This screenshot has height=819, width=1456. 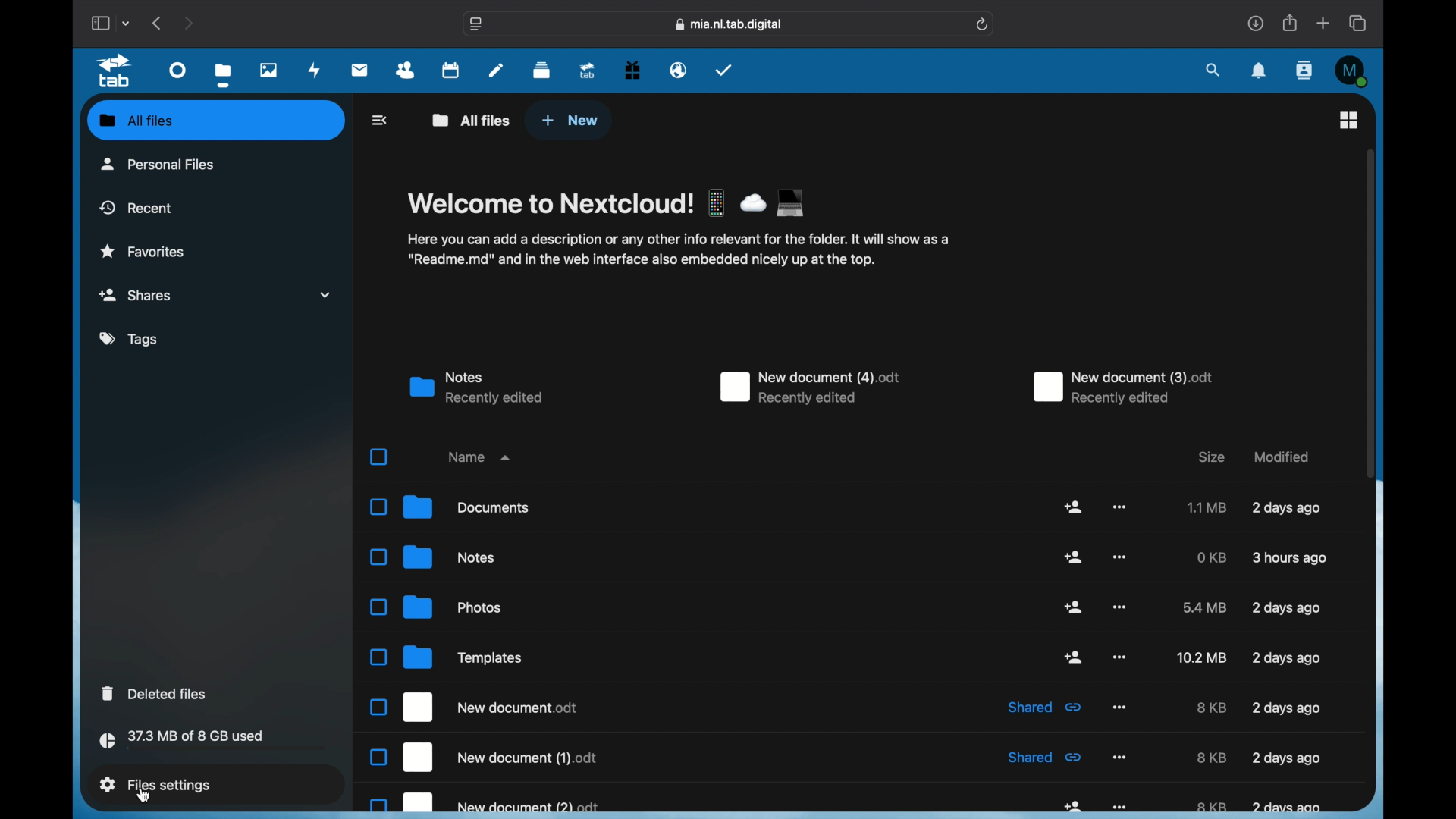 I want to click on tab, so click(x=588, y=70).